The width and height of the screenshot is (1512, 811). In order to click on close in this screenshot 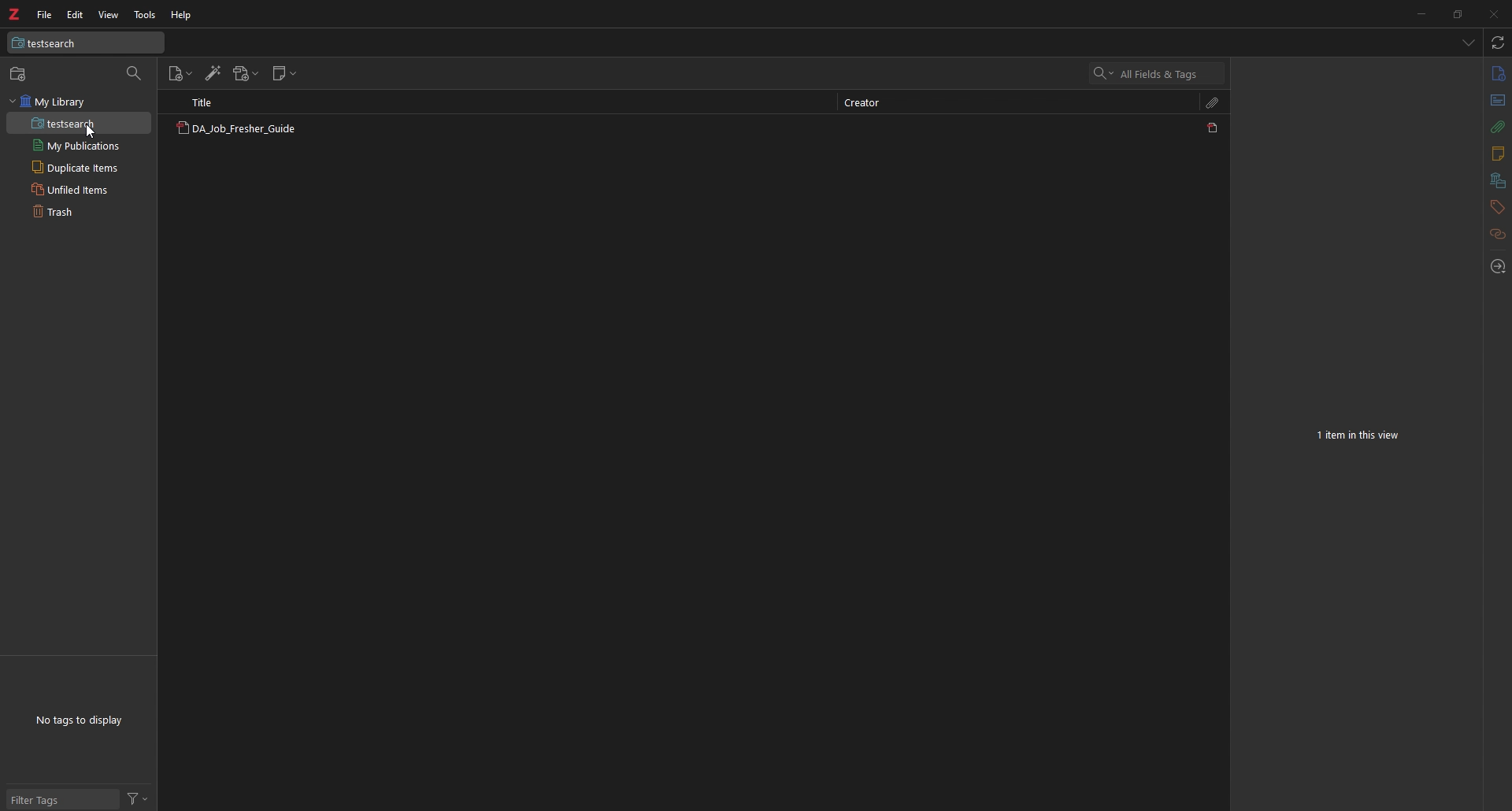, I will do `click(1492, 13)`.